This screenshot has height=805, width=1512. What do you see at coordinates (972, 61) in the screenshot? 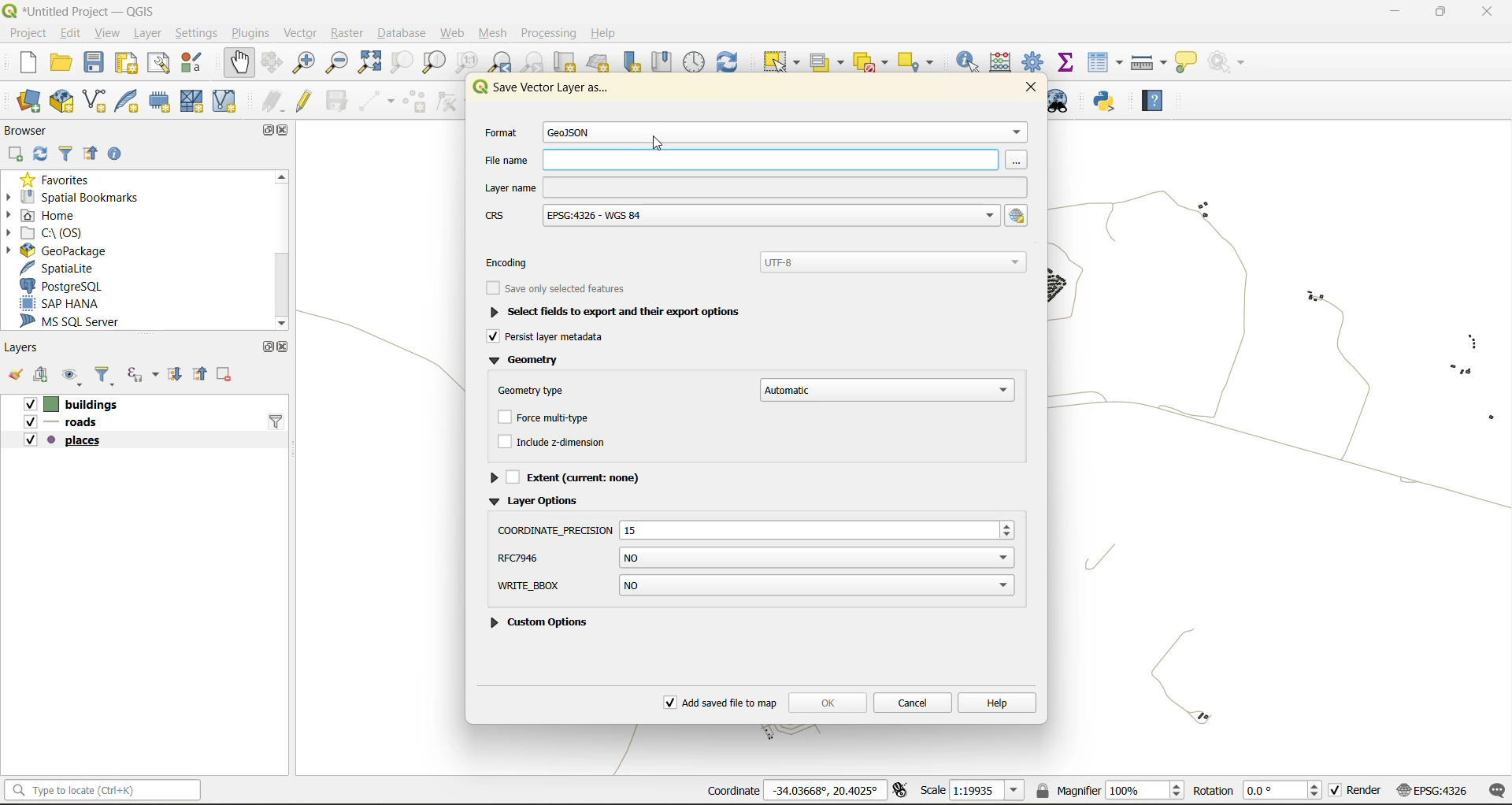
I see `identify features` at bounding box center [972, 61].